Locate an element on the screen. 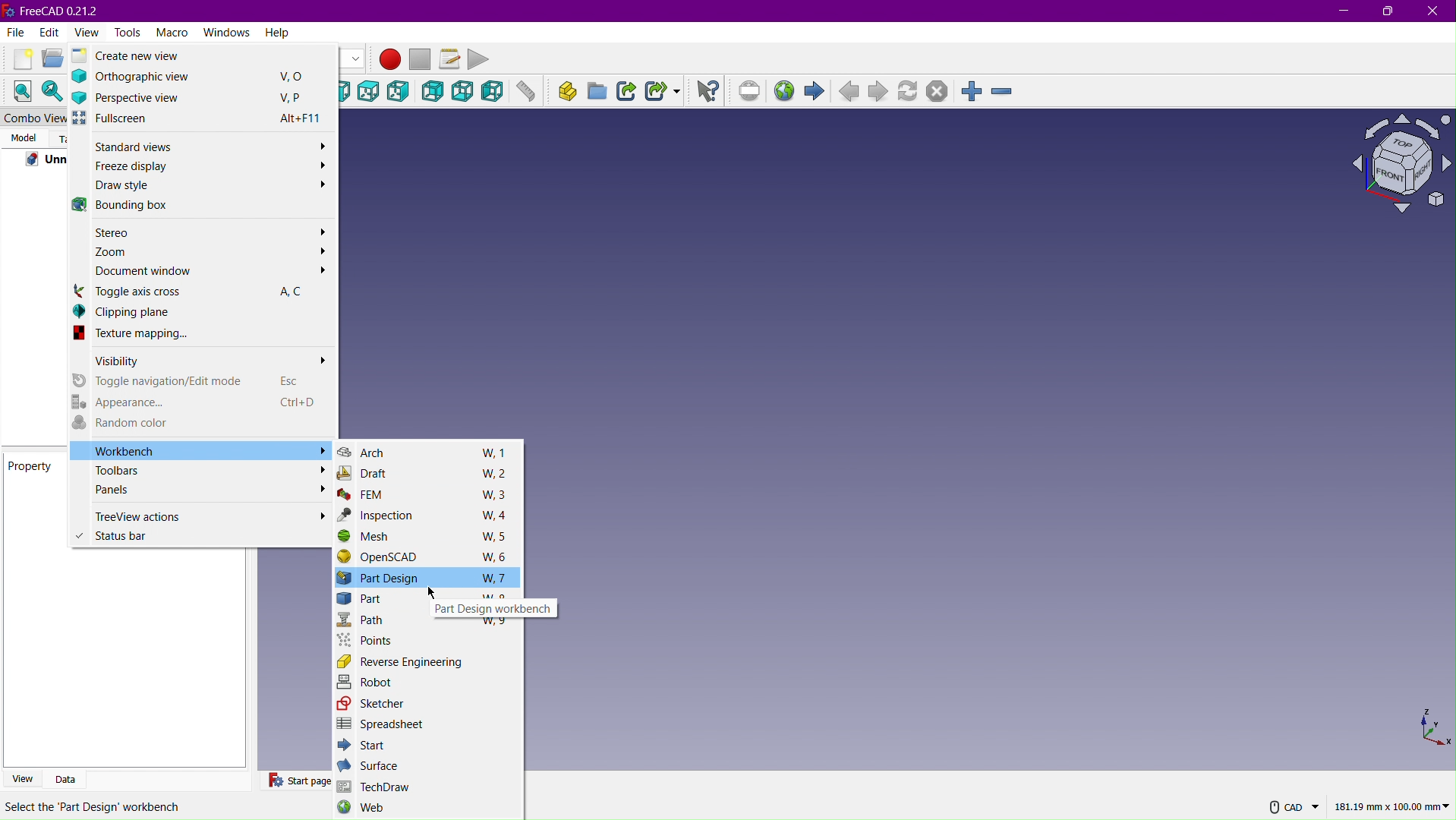 This screenshot has height=820, width=1456. Windows is located at coordinates (230, 32).